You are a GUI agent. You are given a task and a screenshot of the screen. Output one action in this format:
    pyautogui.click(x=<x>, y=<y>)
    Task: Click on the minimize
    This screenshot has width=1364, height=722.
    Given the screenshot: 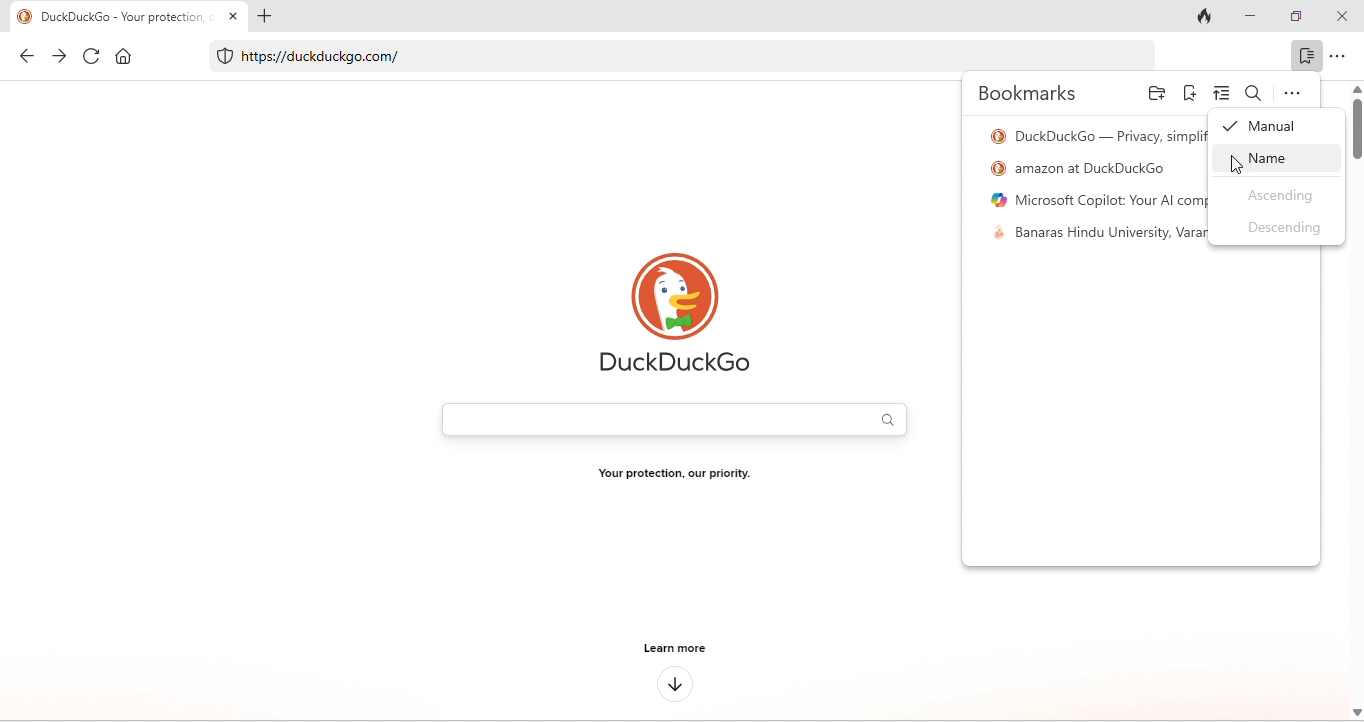 What is the action you would take?
    pyautogui.click(x=1249, y=17)
    